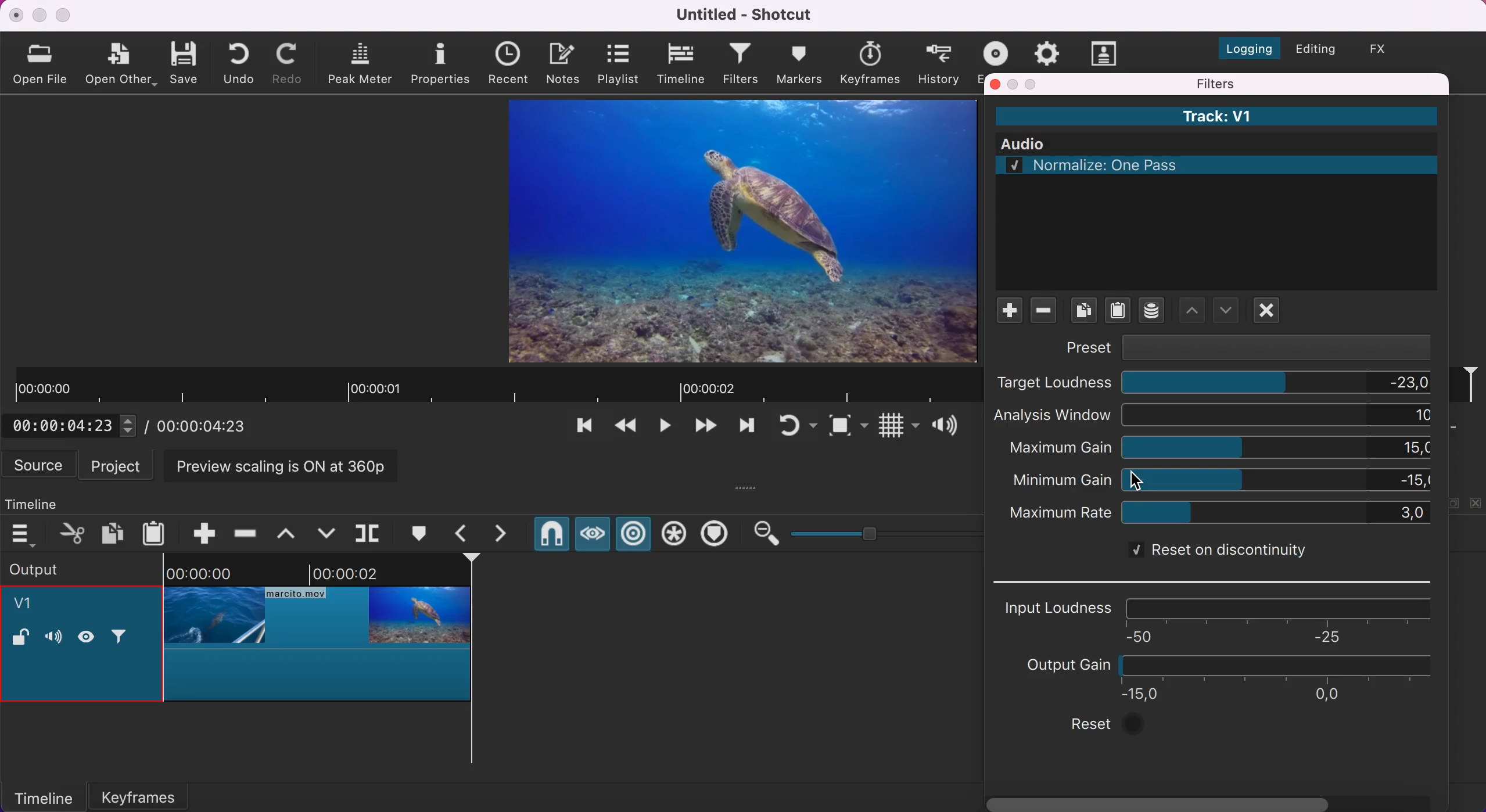  What do you see at coordinates (674, 536) in the screenshot?
I see `ripple all tracks` at bounding box center [674, 536].